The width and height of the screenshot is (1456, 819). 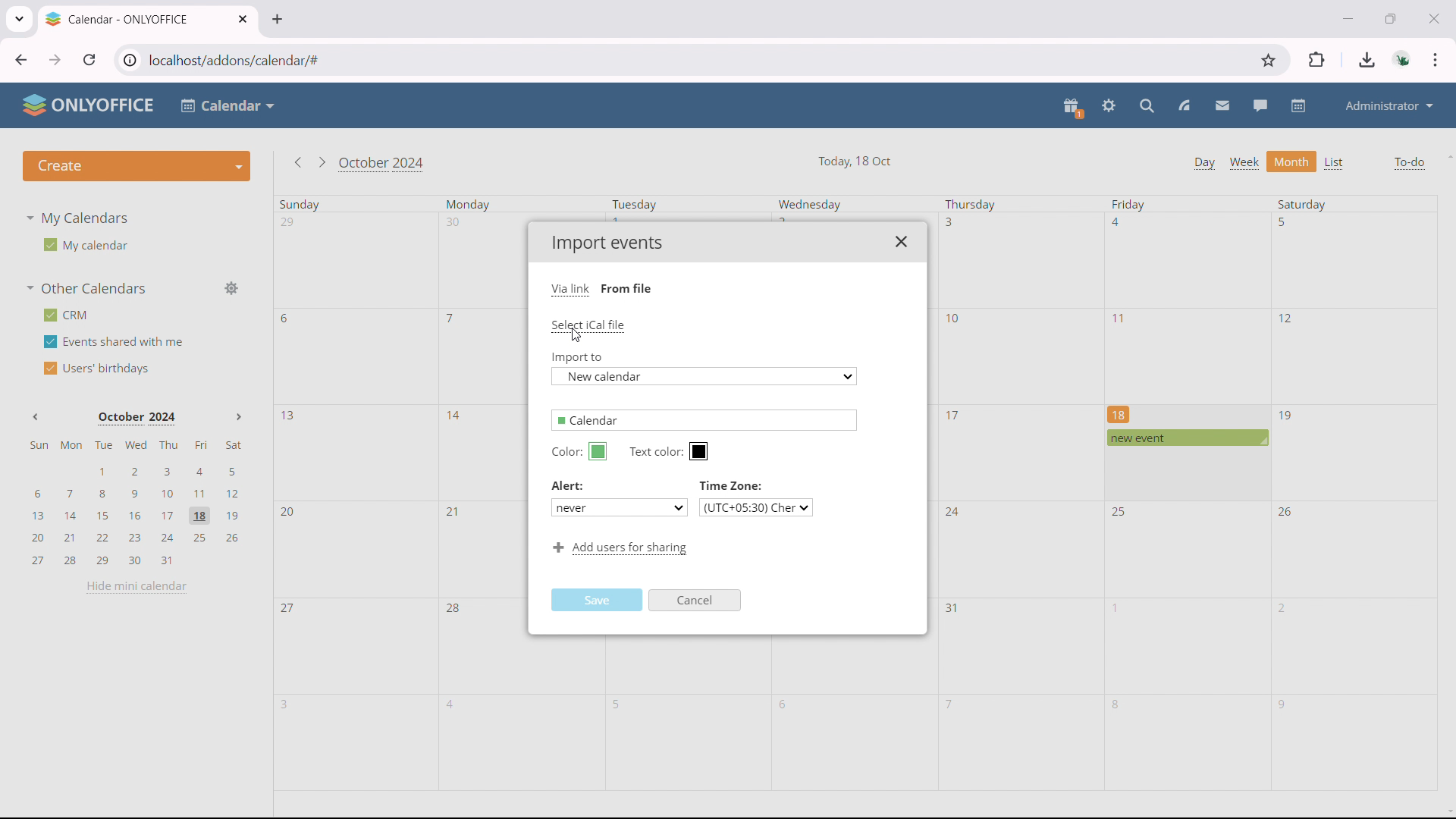 I want to click on Save, so click(x=599, y=599).